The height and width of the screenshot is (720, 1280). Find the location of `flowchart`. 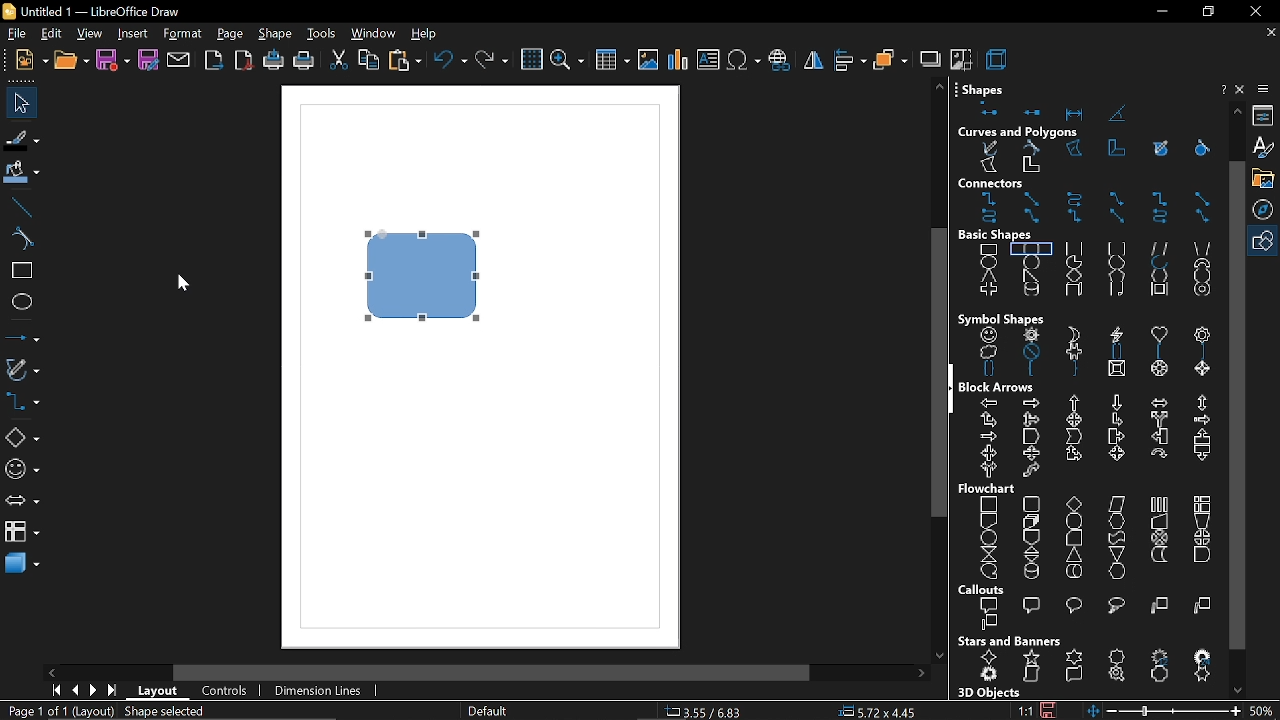

flowchart is located at coordinates (22, 531).